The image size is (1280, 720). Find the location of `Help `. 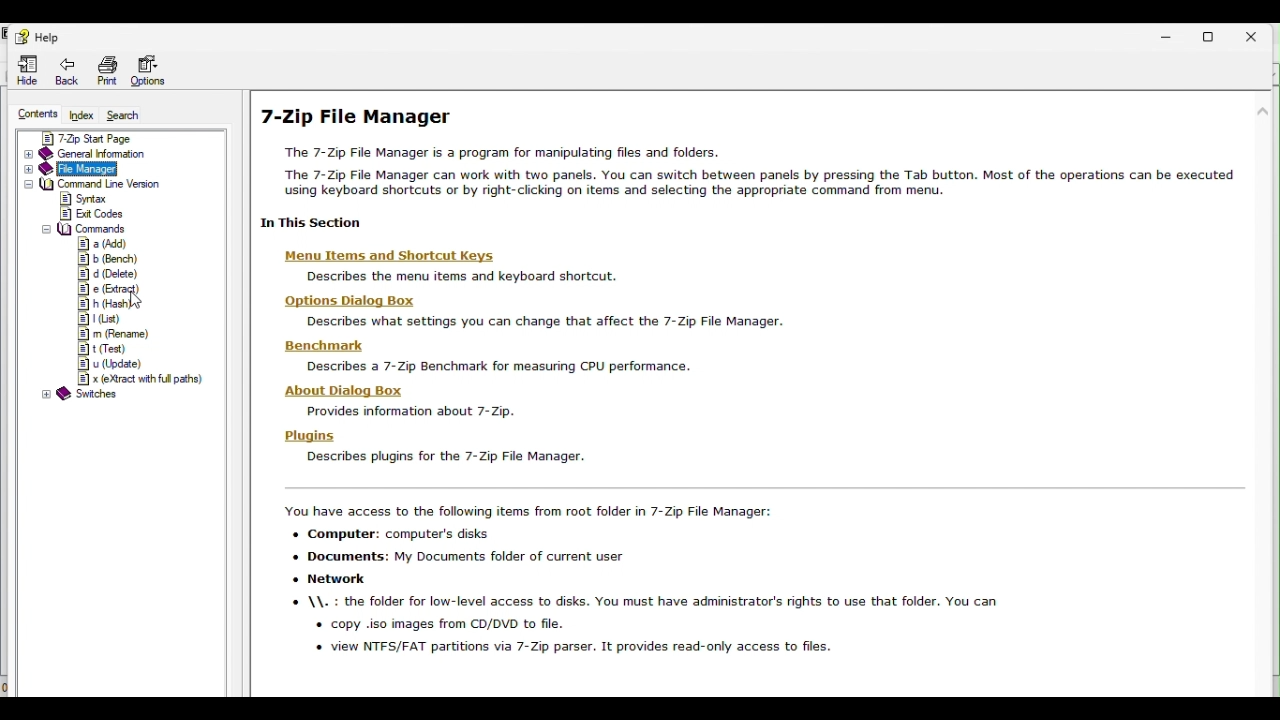

Help  is located at coordinates (36, 35).